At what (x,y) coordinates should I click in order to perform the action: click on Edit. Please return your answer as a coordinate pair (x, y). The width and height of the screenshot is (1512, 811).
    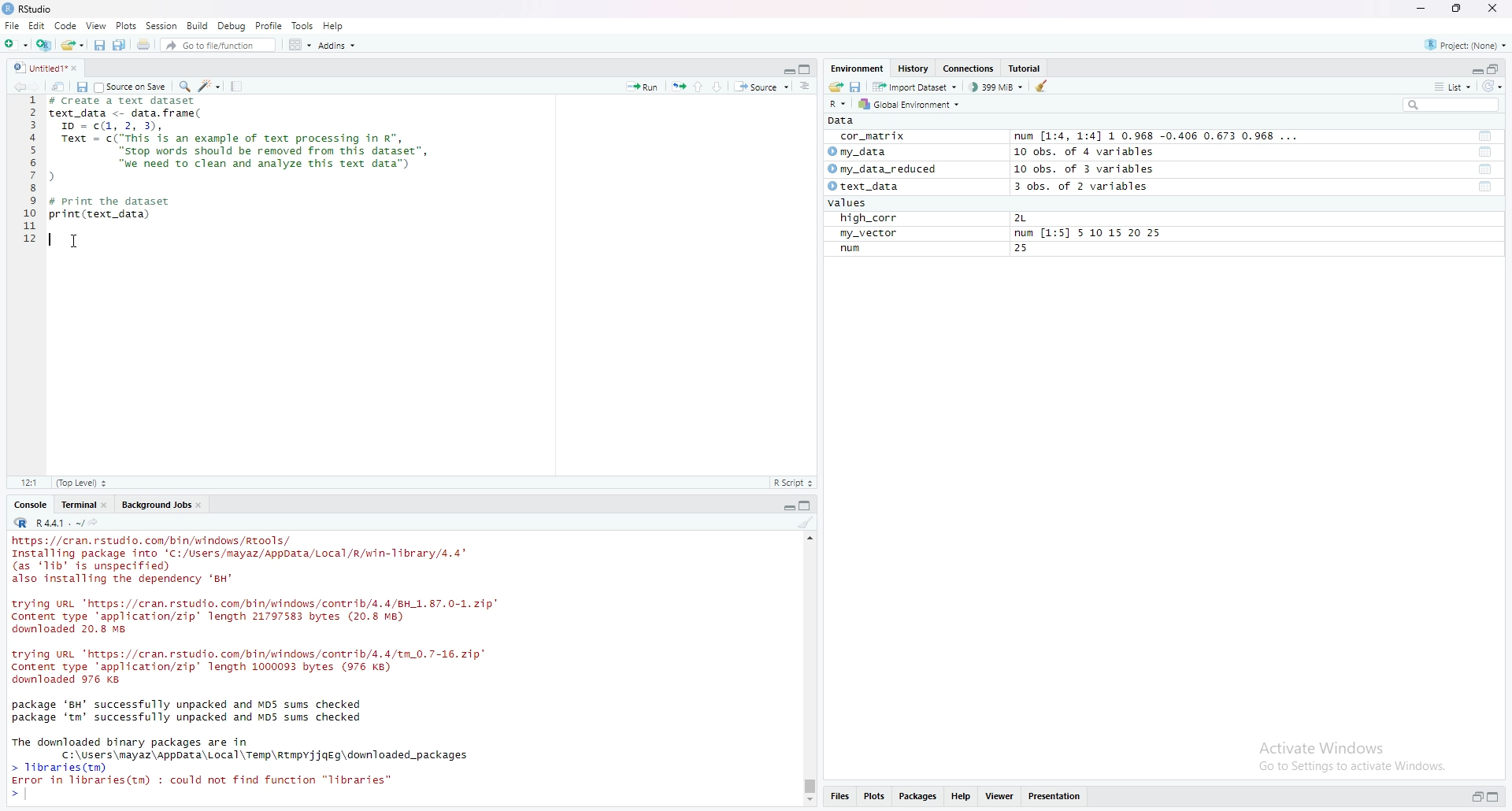
    Looking at the image, I should click on (35, 25).